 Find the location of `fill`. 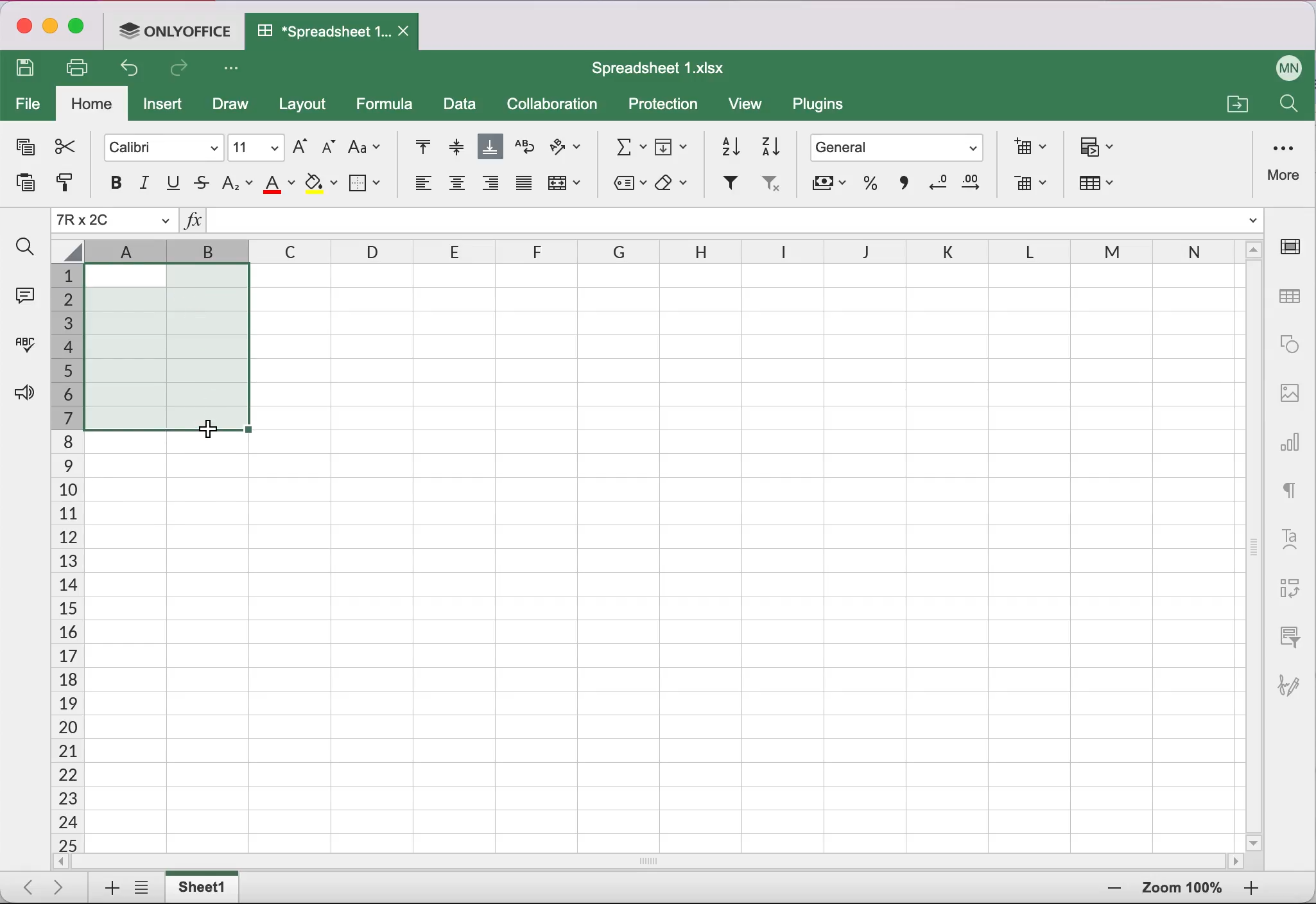

fill is located at coordinates (673, 144).